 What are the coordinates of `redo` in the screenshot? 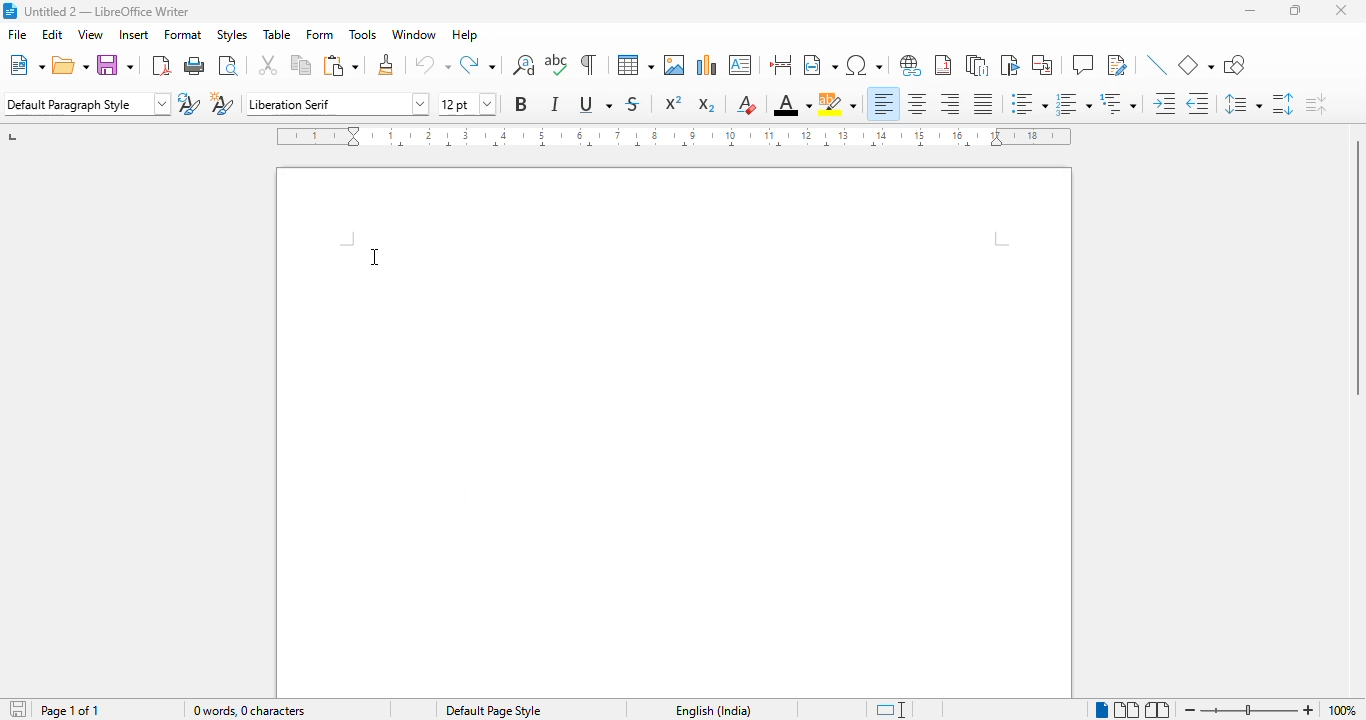 It's located at (478, 64).